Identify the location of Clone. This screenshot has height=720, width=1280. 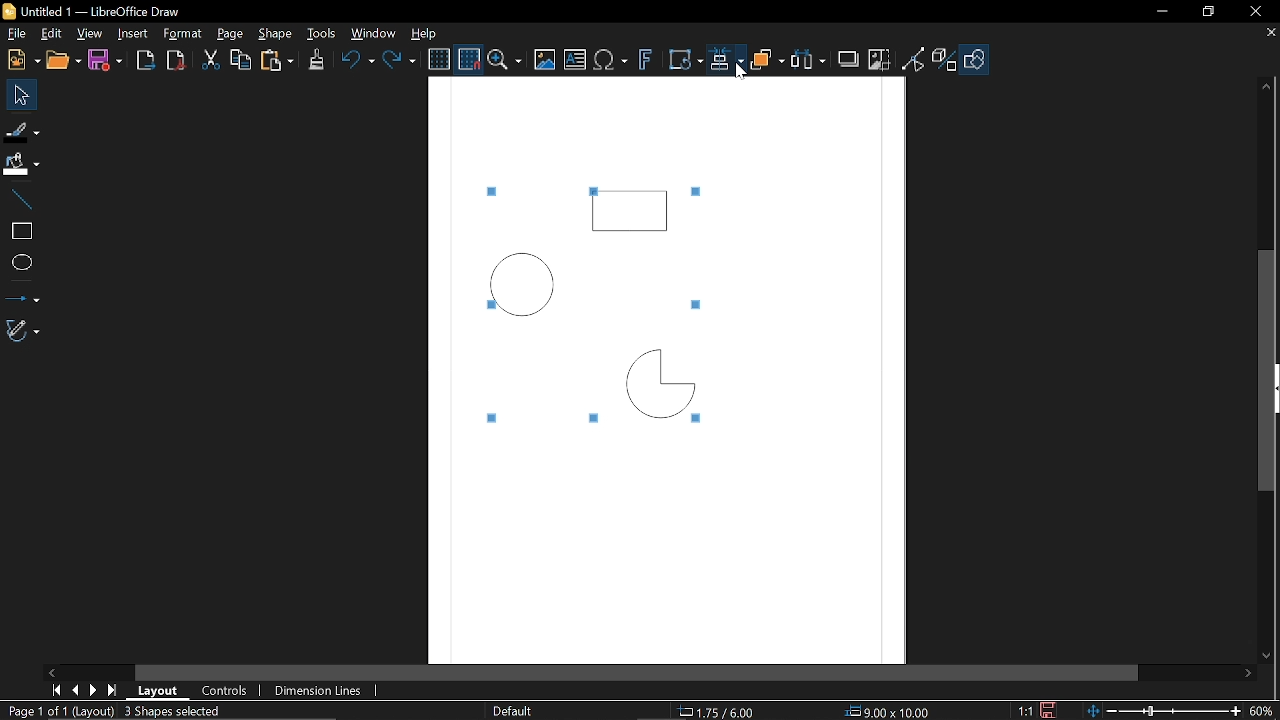
(315, 62).